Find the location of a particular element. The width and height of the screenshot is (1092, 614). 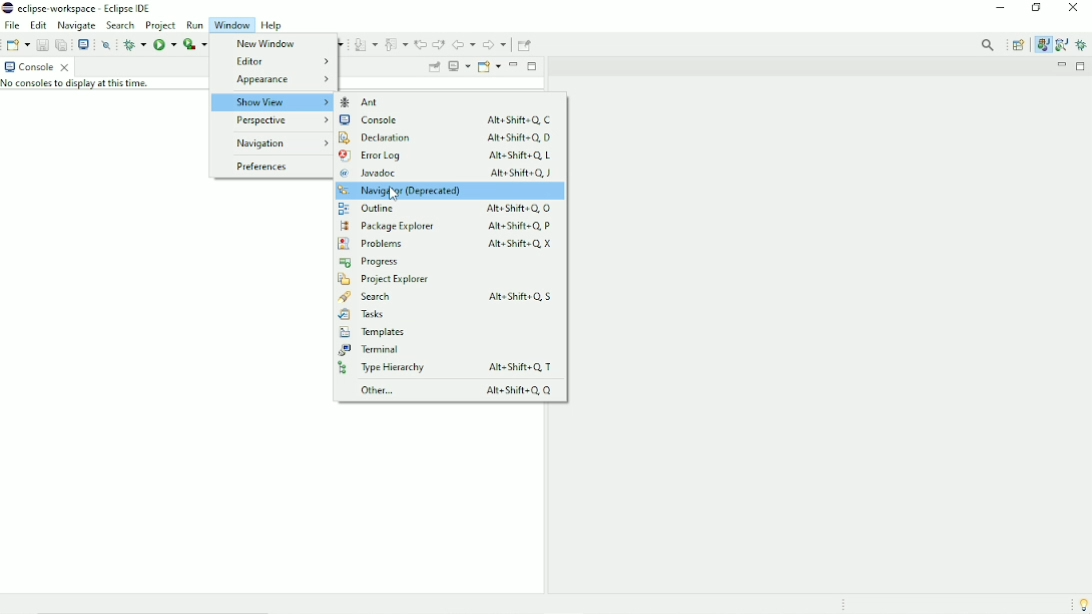

Access commands and other items is located at coordinates (989, 44).